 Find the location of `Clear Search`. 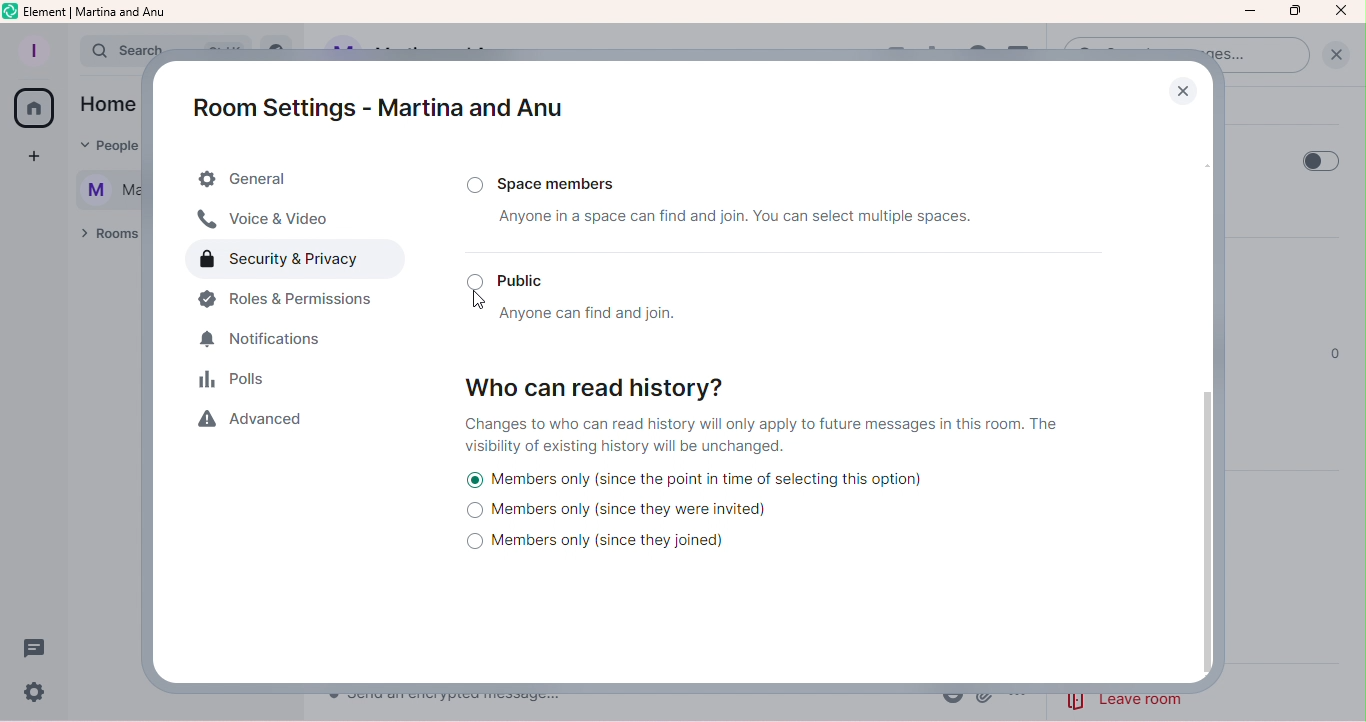

Clear Search is located at coordinates (1333, 60).